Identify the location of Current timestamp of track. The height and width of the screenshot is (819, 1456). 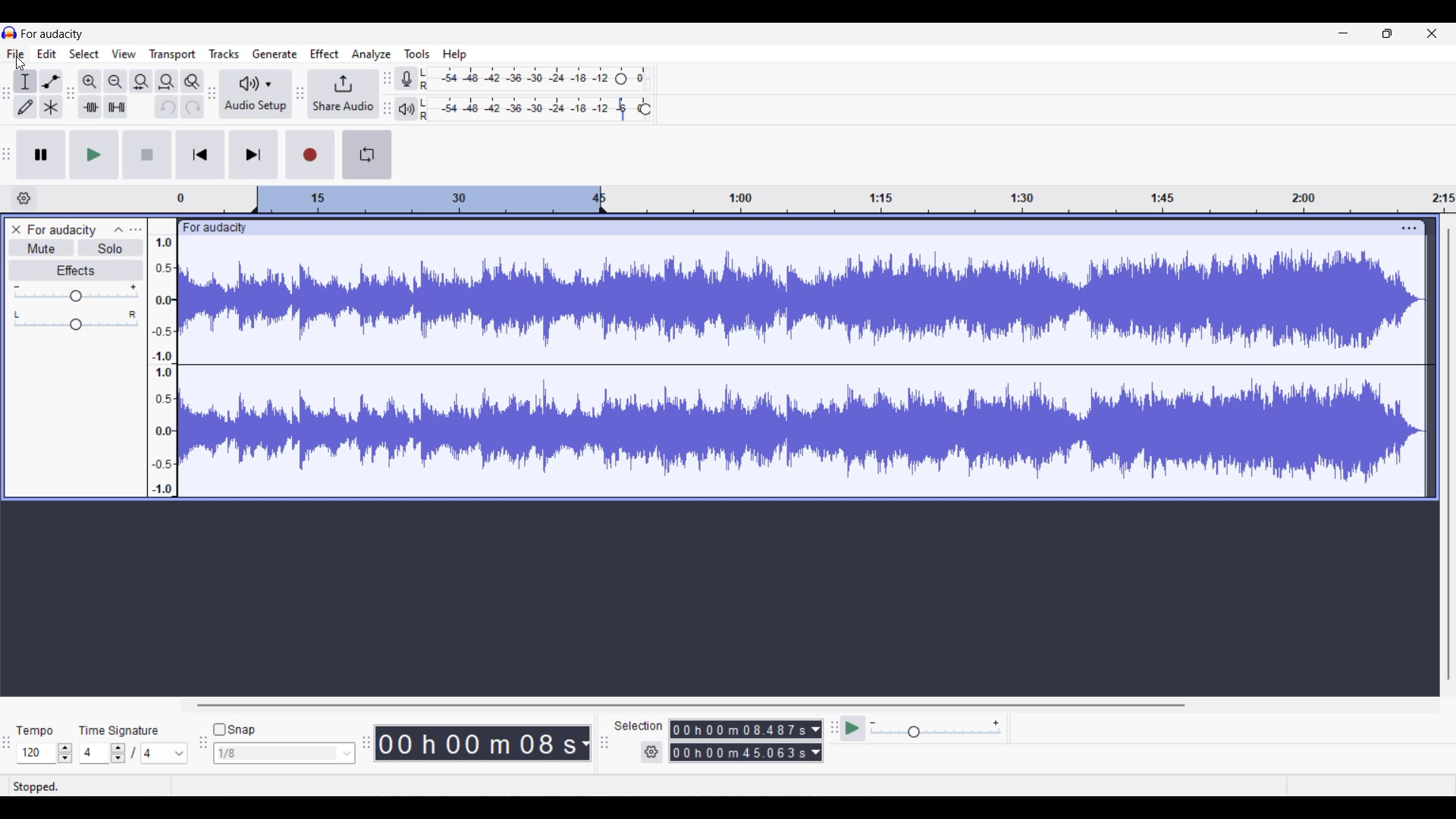
(473, 743).